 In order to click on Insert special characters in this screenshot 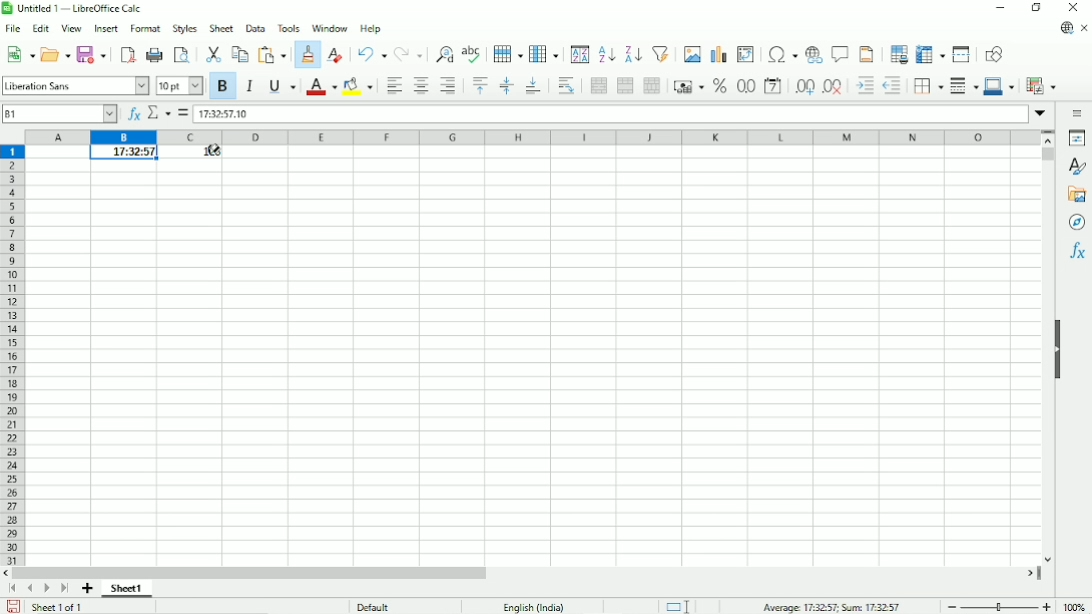, I will do `click(780, 54)`.